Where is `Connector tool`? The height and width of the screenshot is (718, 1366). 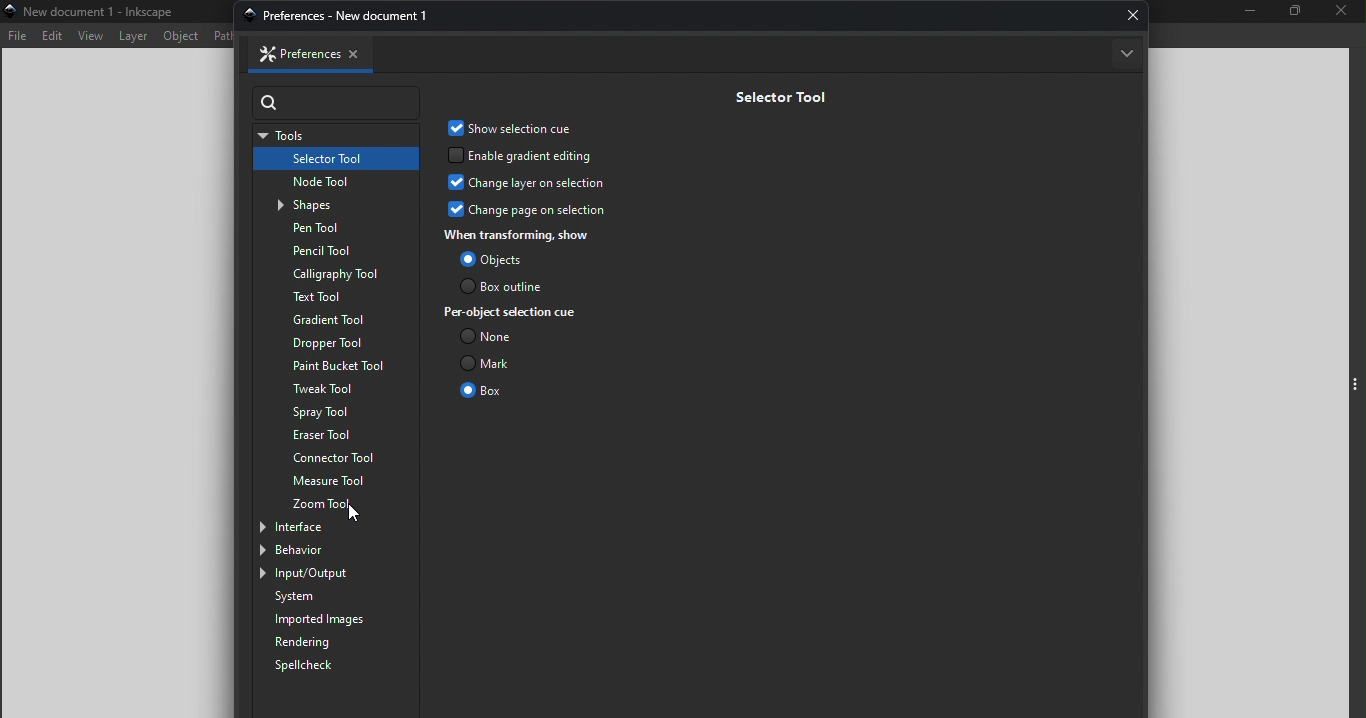 Connector tool is located at coordinates (325, 456).